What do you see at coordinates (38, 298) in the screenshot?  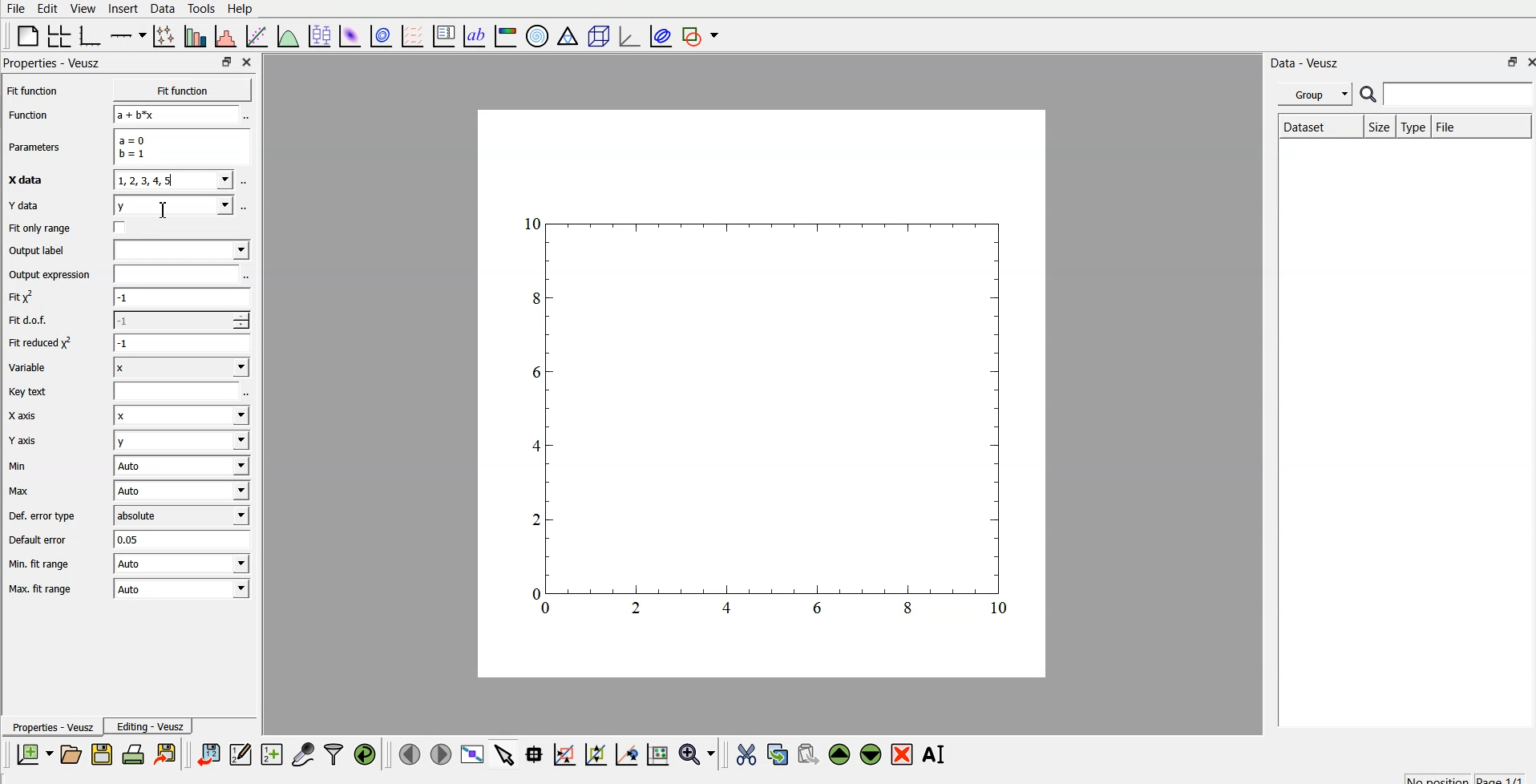 I see `fit y^2` at bounding box center [38, 298].